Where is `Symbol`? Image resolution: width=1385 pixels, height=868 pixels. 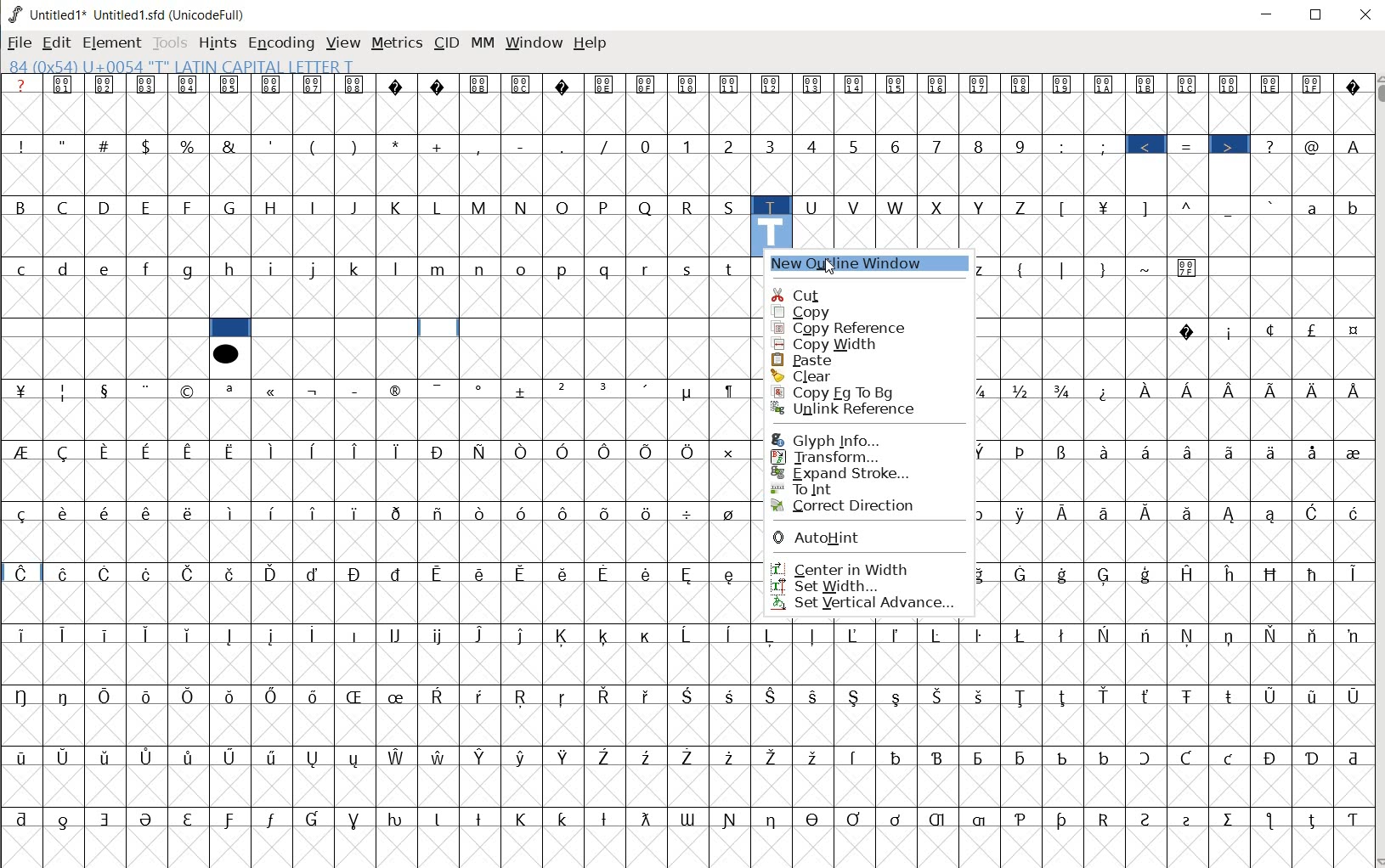 Symbol is located at coordinates (1230, 759).